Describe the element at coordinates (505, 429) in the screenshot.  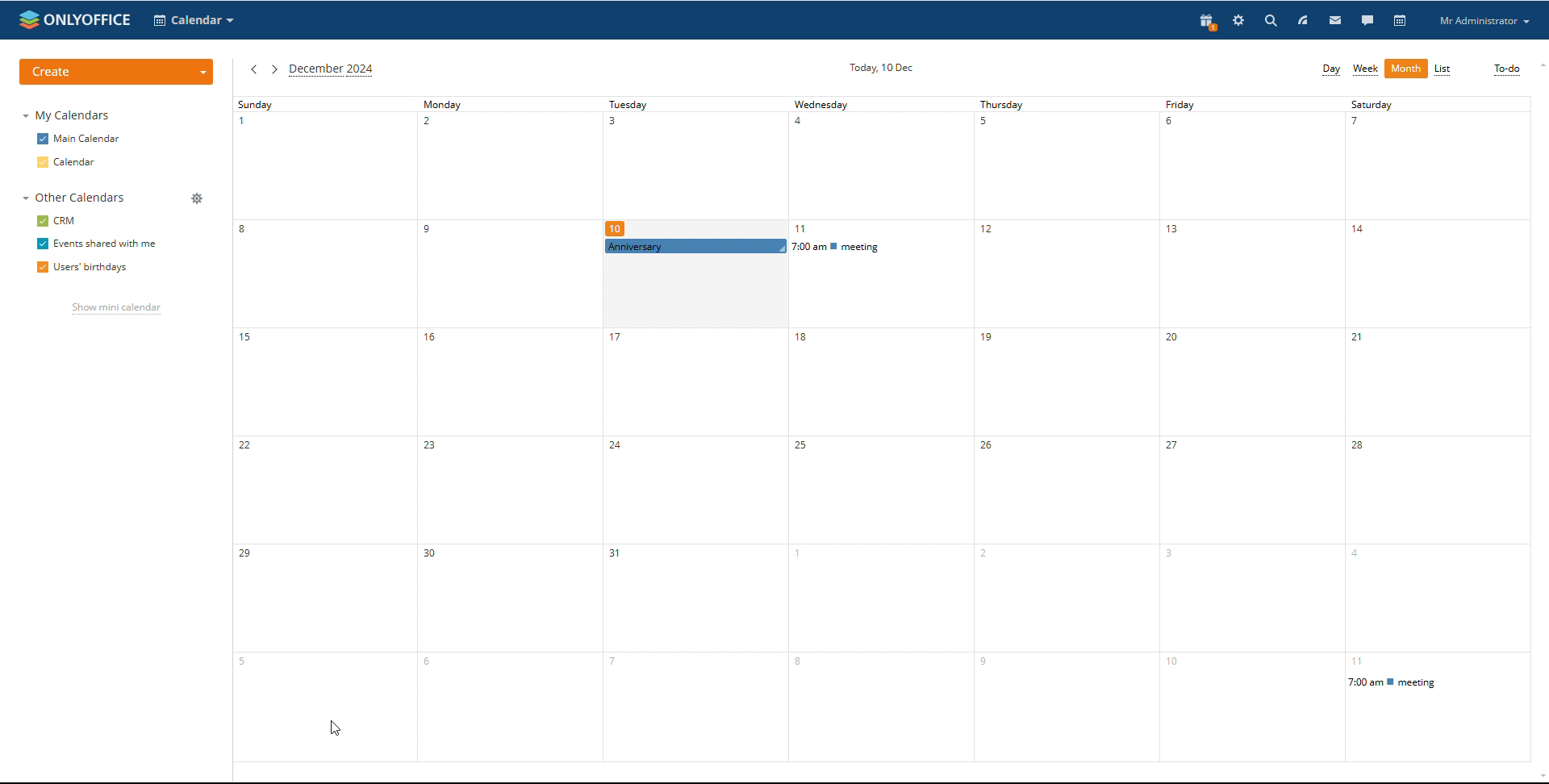
I see `monday` at that location.